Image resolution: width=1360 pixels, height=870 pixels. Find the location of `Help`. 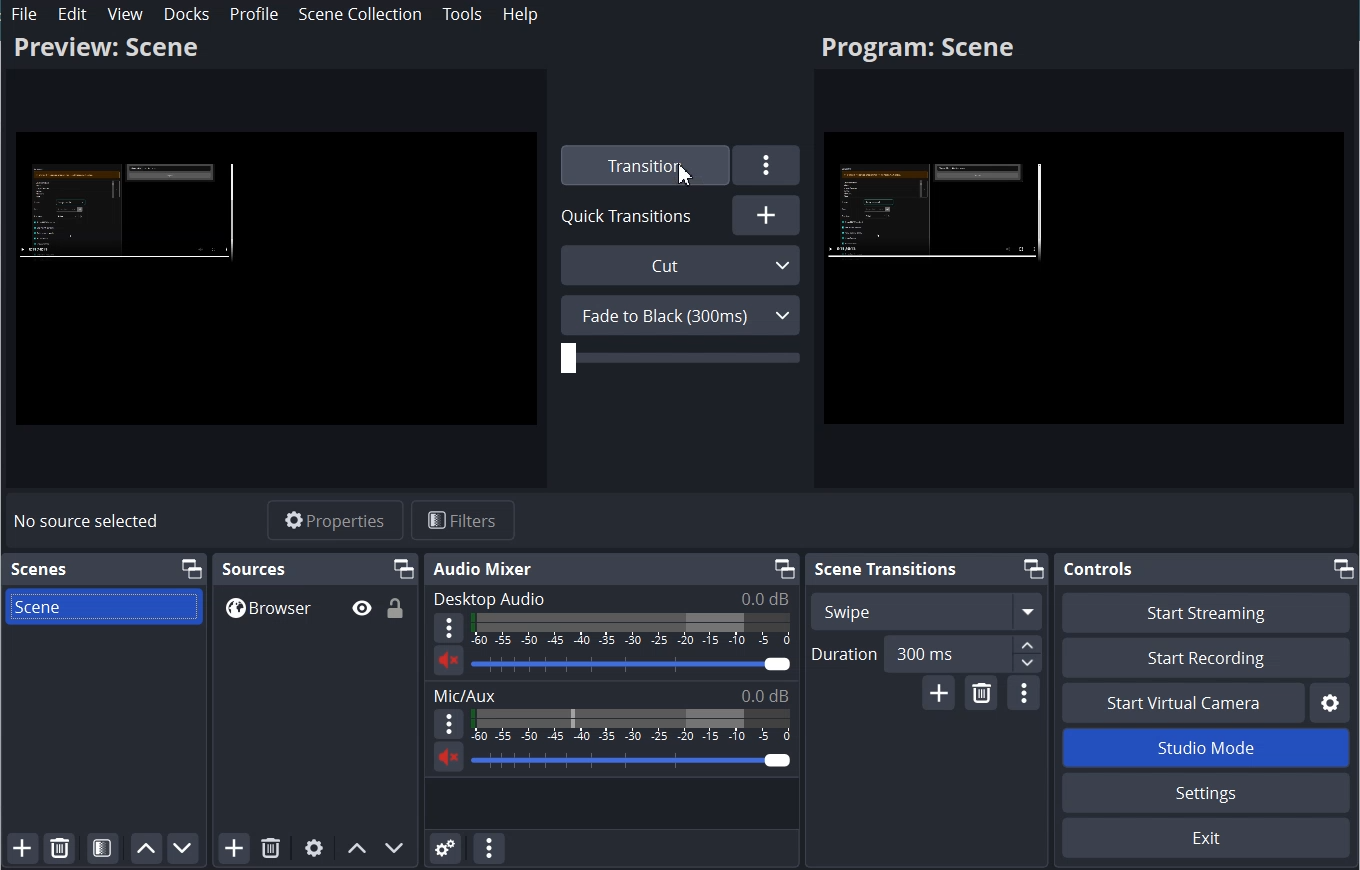

Help is located at coordinates (521, 14).